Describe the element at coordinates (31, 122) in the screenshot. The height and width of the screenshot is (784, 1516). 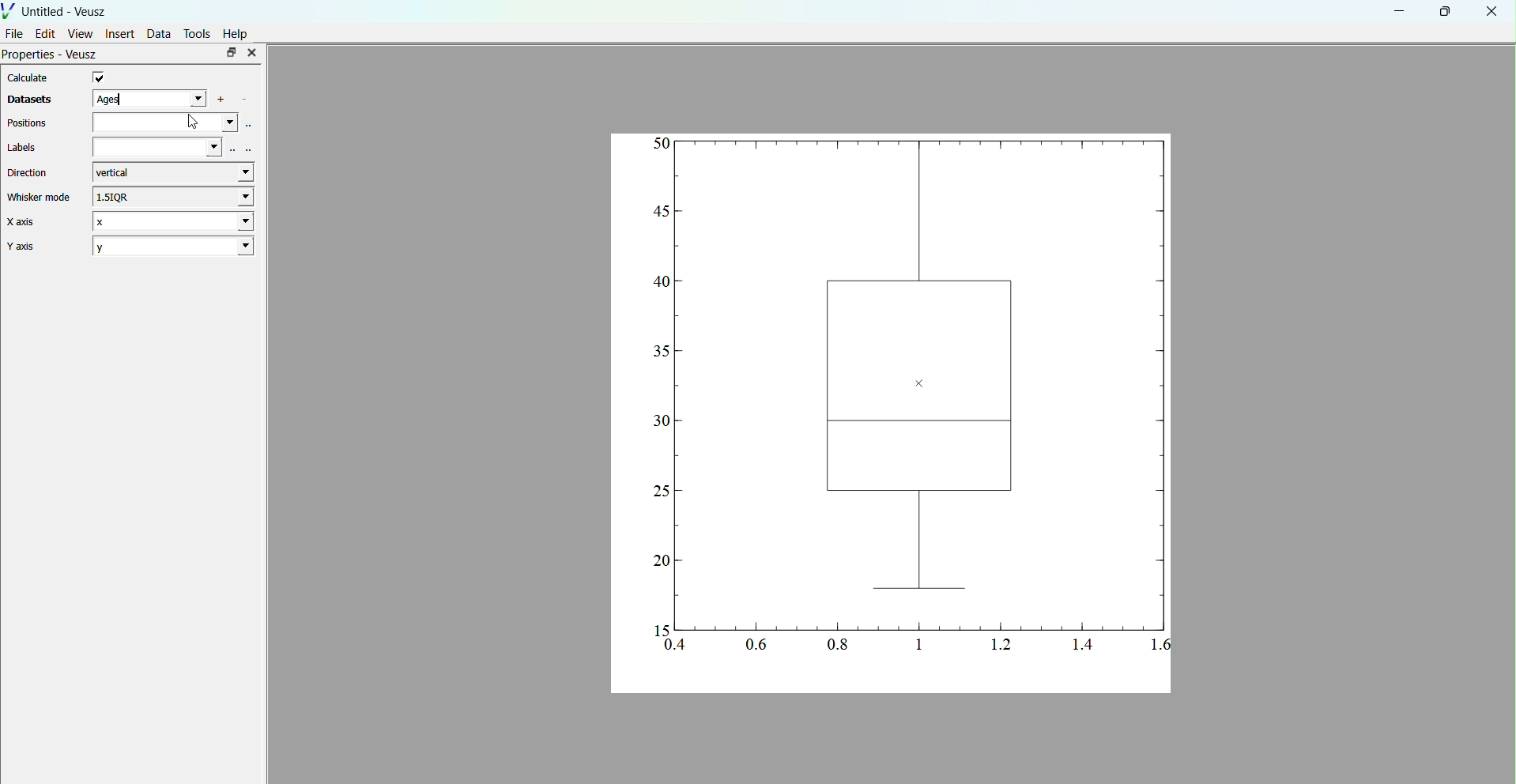
I see `Positions.` at that location.